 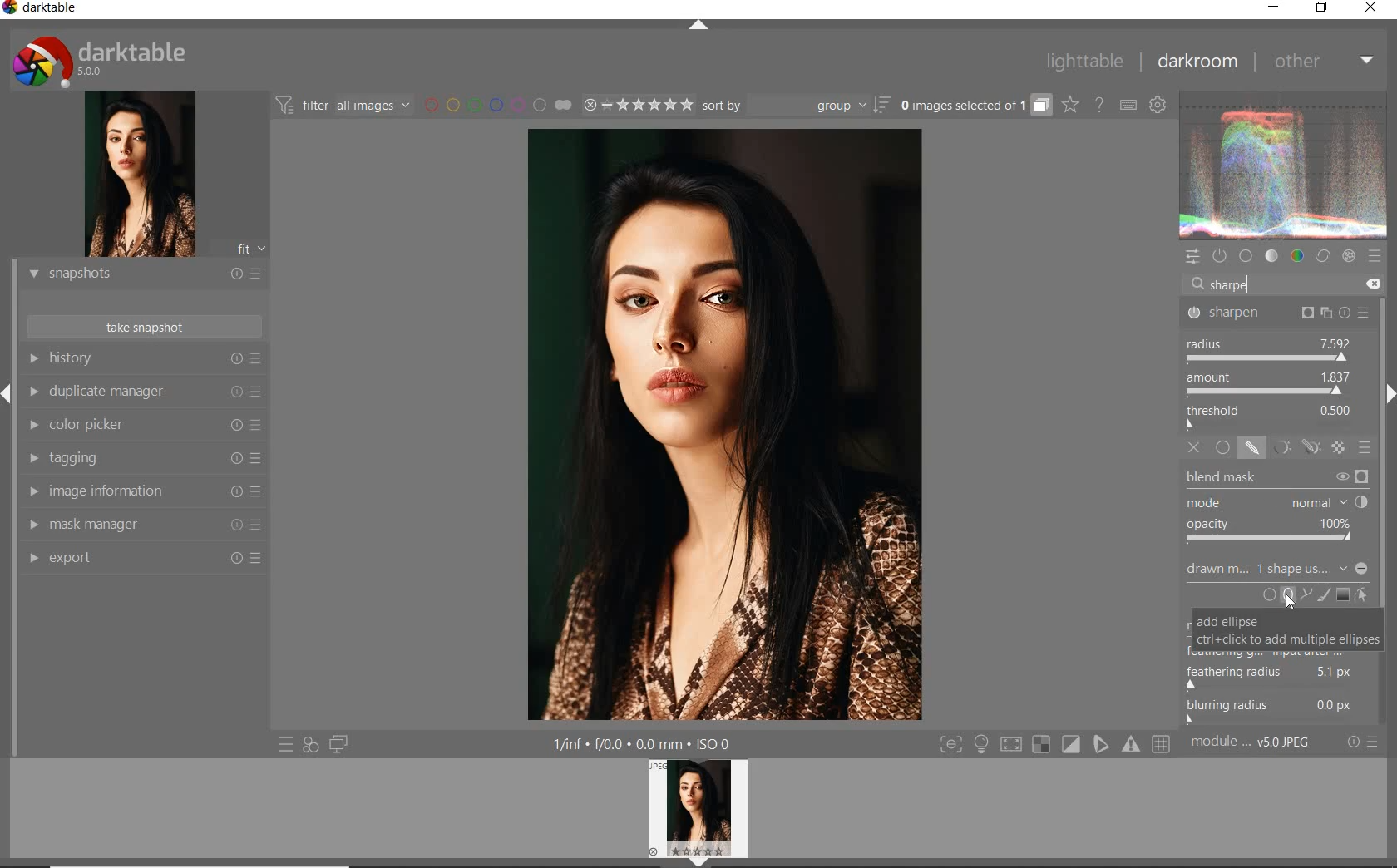 I want to click on sign , so click(x=1013, y=746).